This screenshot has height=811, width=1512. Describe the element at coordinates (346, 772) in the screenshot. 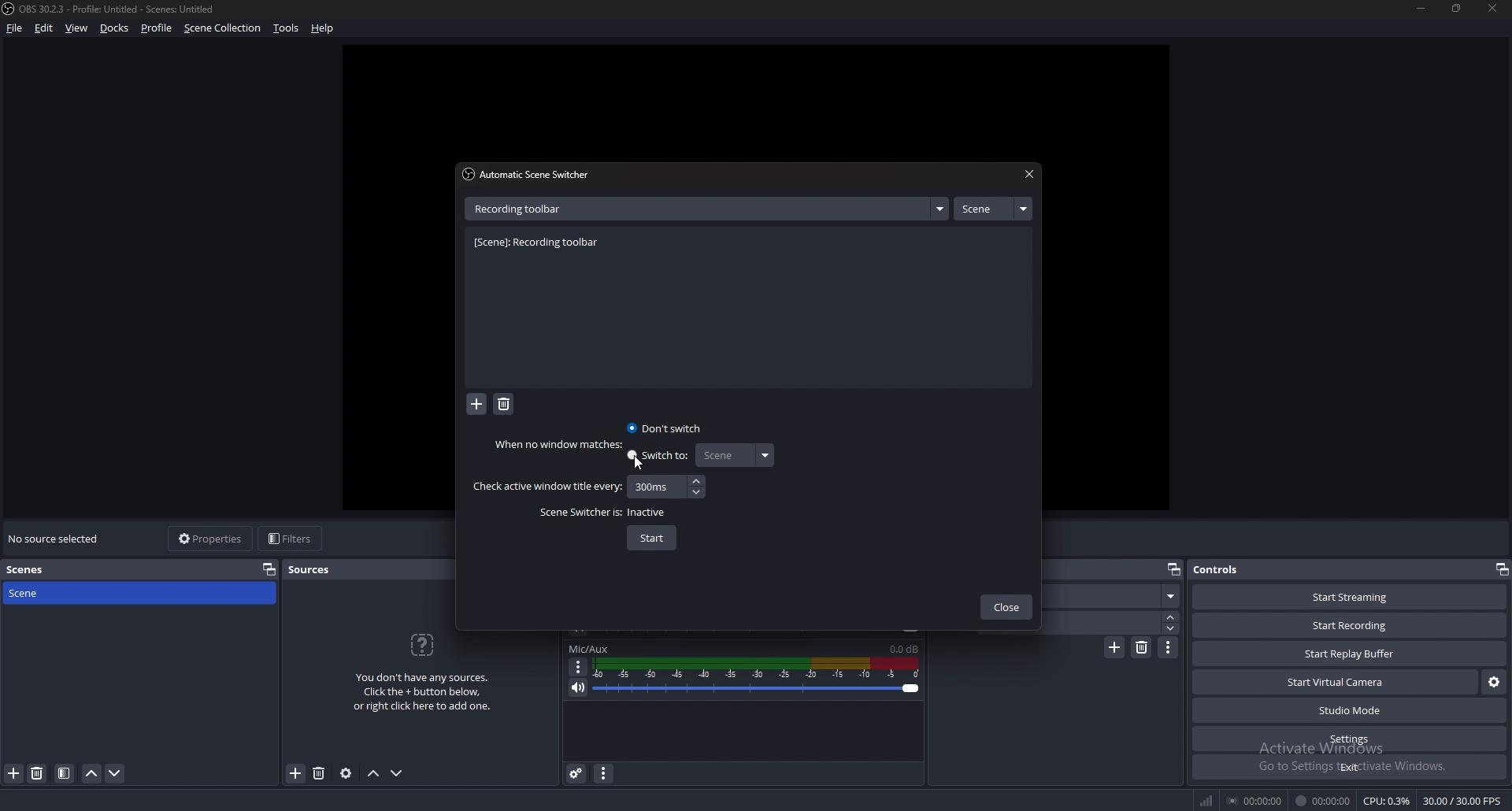

I see `source properties` at that location.